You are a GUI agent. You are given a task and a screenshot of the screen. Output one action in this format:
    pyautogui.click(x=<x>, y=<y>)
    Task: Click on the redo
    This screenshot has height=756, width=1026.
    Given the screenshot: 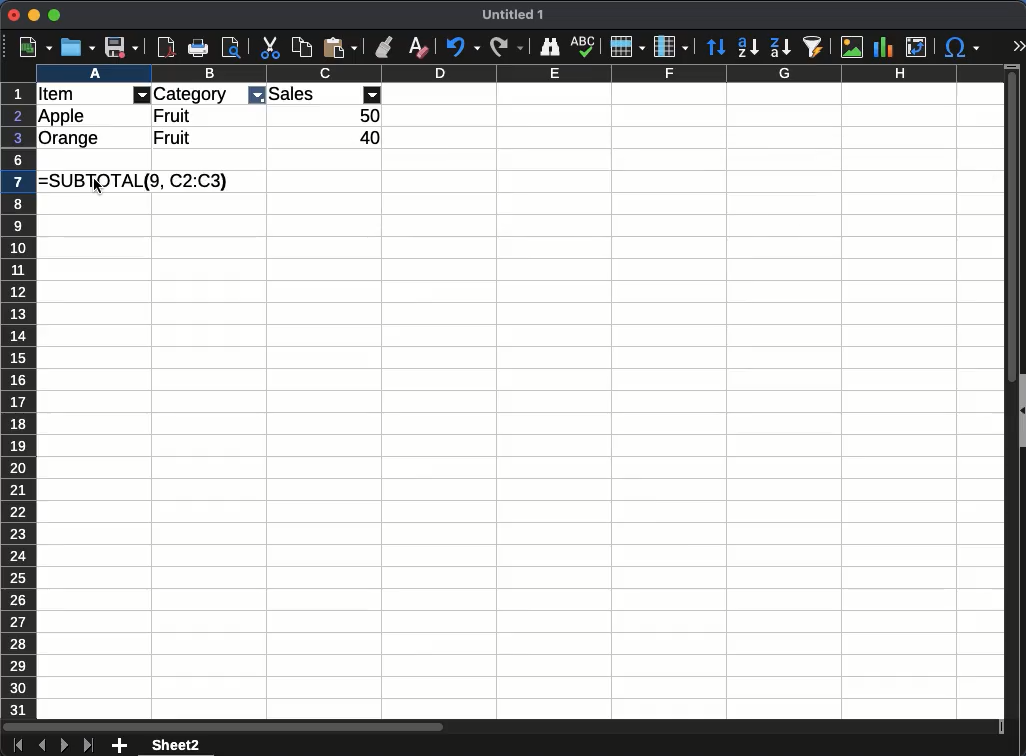 What is the action you would take?
    pyautogui.click(x=506, y=48)
    